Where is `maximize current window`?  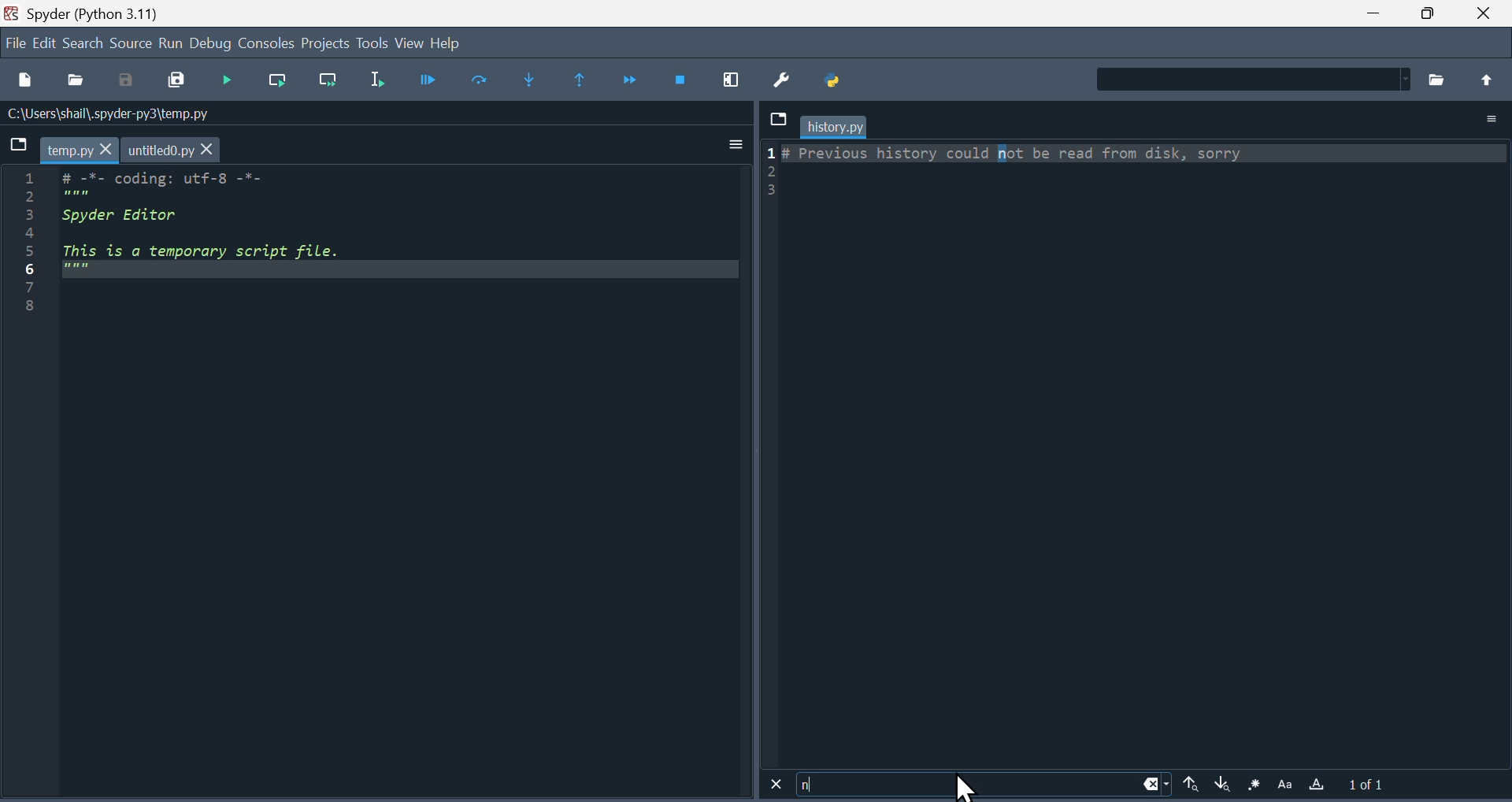 maximize current window is located at coordinates (736, 77).